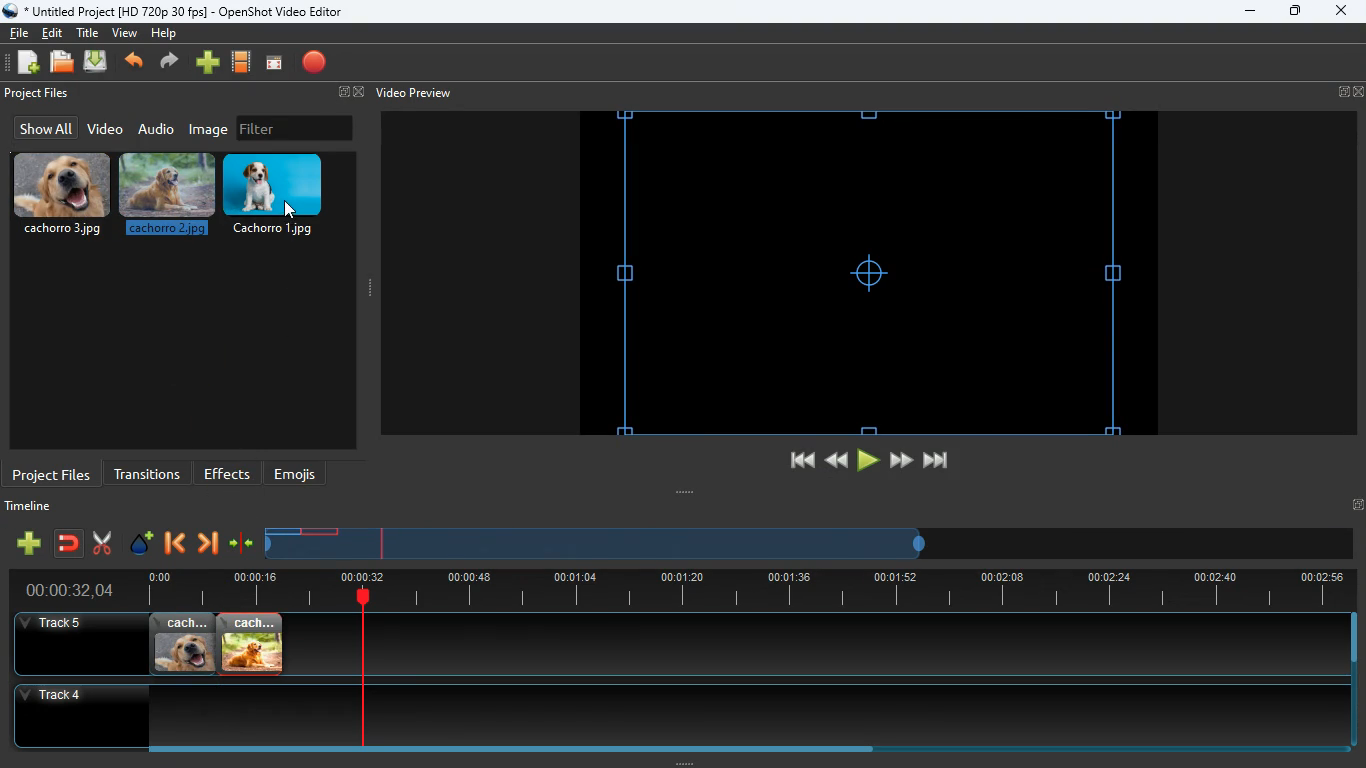 The height and width of the screenshot is (768, 1366). Describe the element at coordinates (163, 36) in the screenshot. I see `help` at that location.